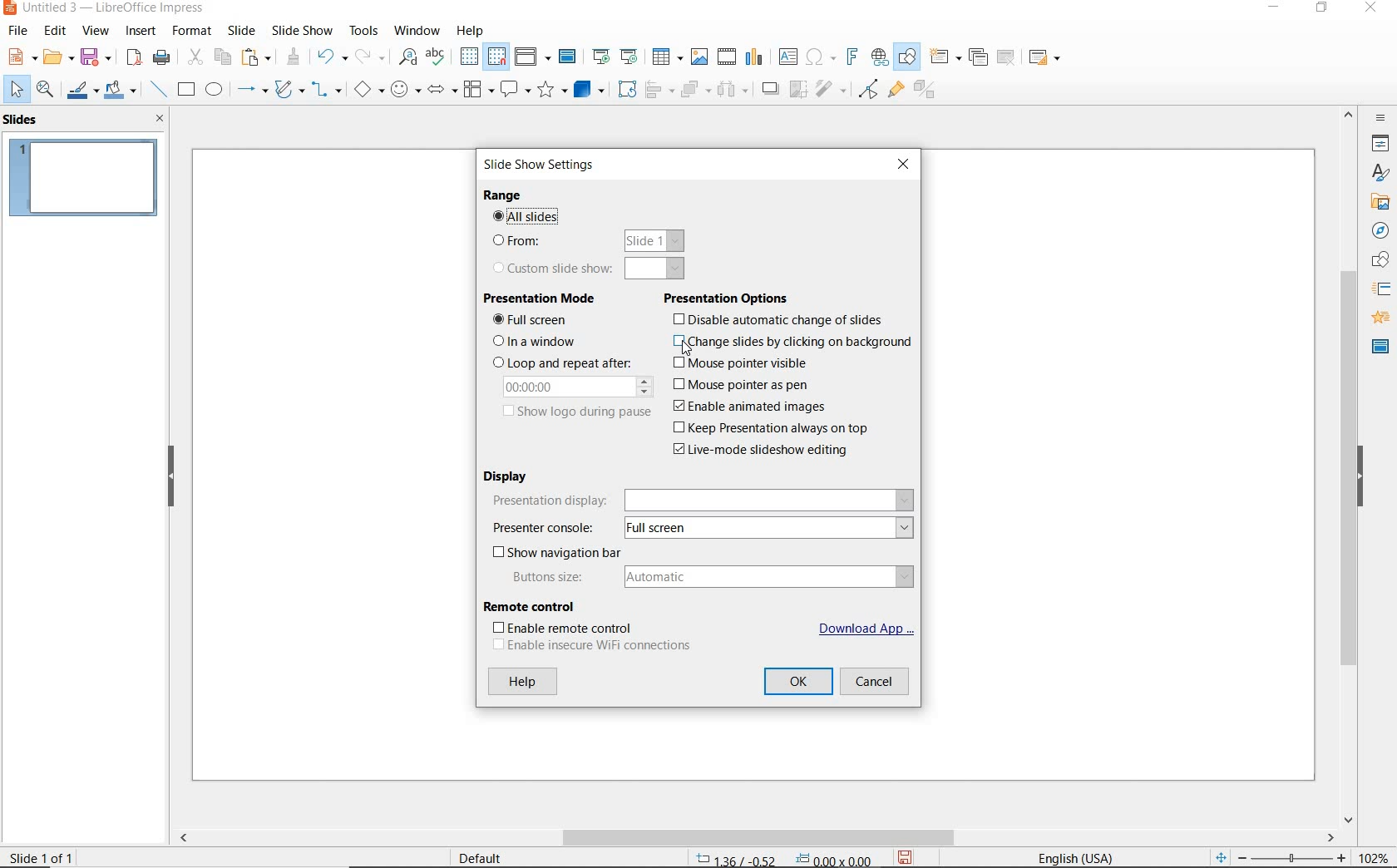 This screenshot has width=1397, height=868. What do you see at coordinates (478, 30) in the screenshot?
I see `HELP` at bounding box center [478, 30].